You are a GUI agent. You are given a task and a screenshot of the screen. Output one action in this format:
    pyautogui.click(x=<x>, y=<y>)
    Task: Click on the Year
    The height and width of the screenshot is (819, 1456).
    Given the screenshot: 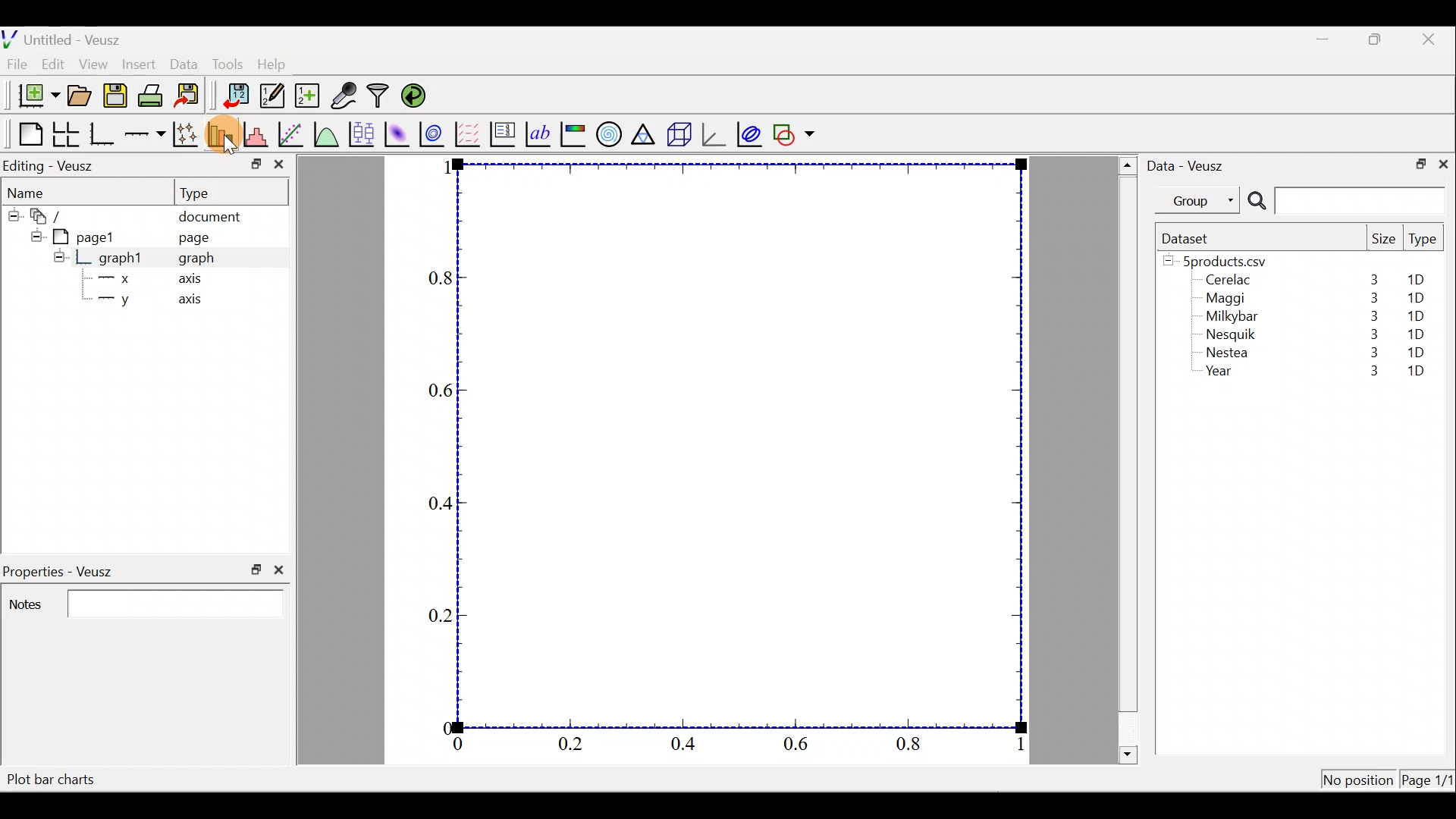 What is the action you would take?
    pyautogui.click(x=1222, y=375)
    